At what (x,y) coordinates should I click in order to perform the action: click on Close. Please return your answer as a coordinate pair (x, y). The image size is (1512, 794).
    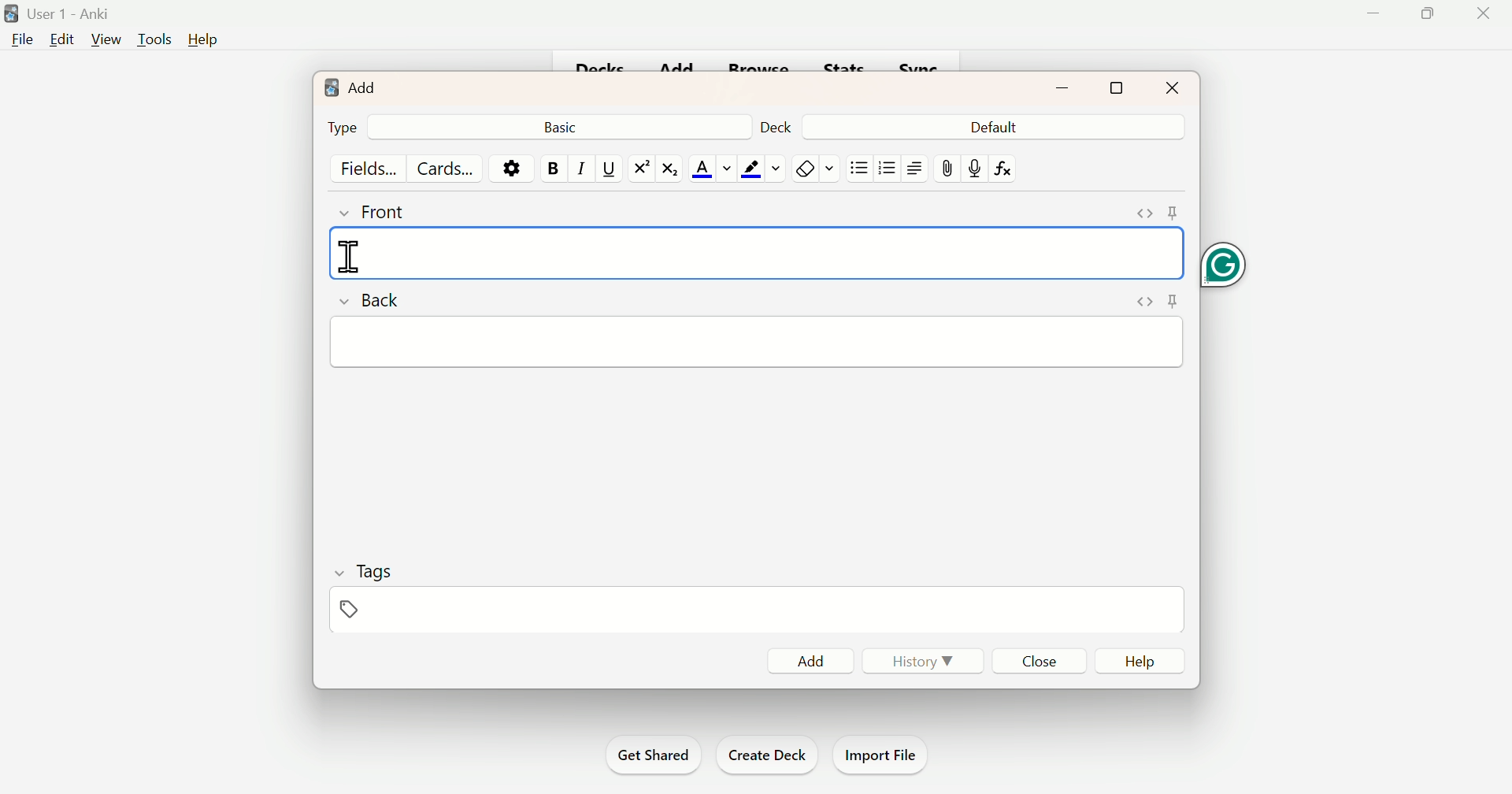
    Looking at the image, I should click on (1173, 87).